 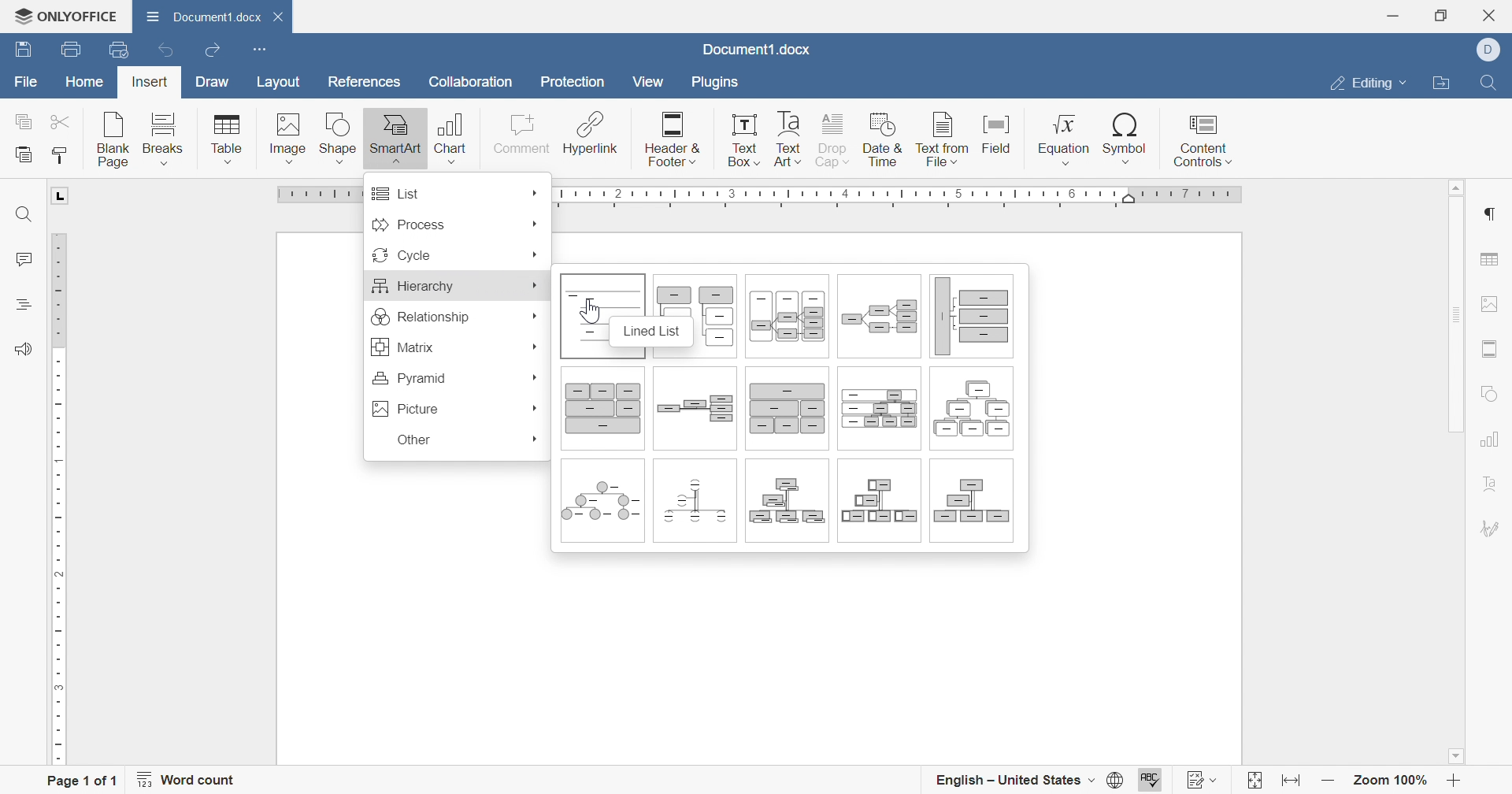 What do you see at coordinates (1329, 781) in the screenshot?
I see `Zoom out` at bounding box center [1329, 781].